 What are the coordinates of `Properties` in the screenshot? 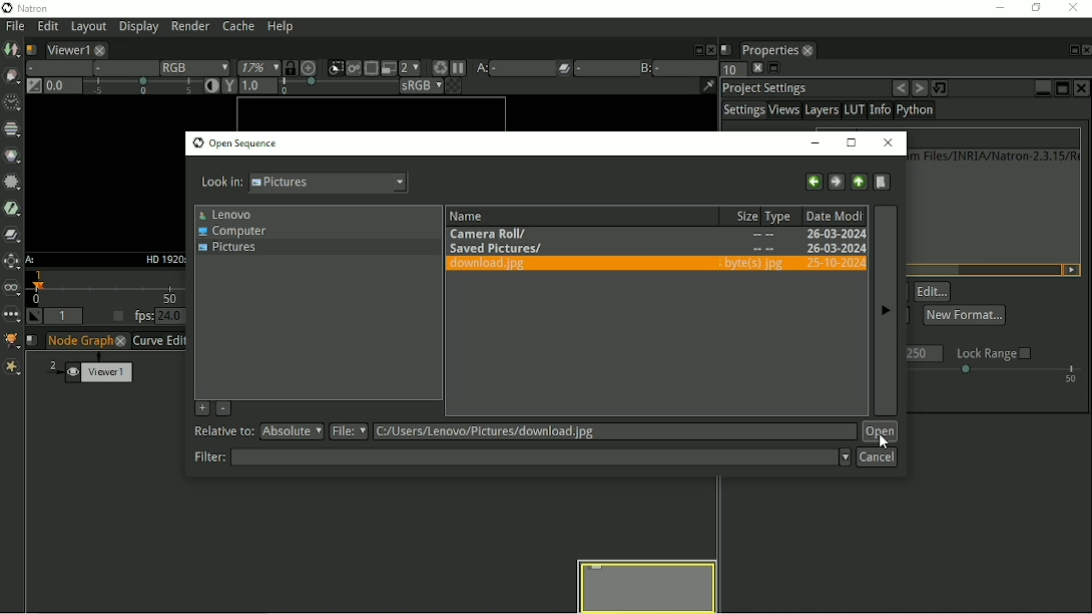 It's located at (775, 48).